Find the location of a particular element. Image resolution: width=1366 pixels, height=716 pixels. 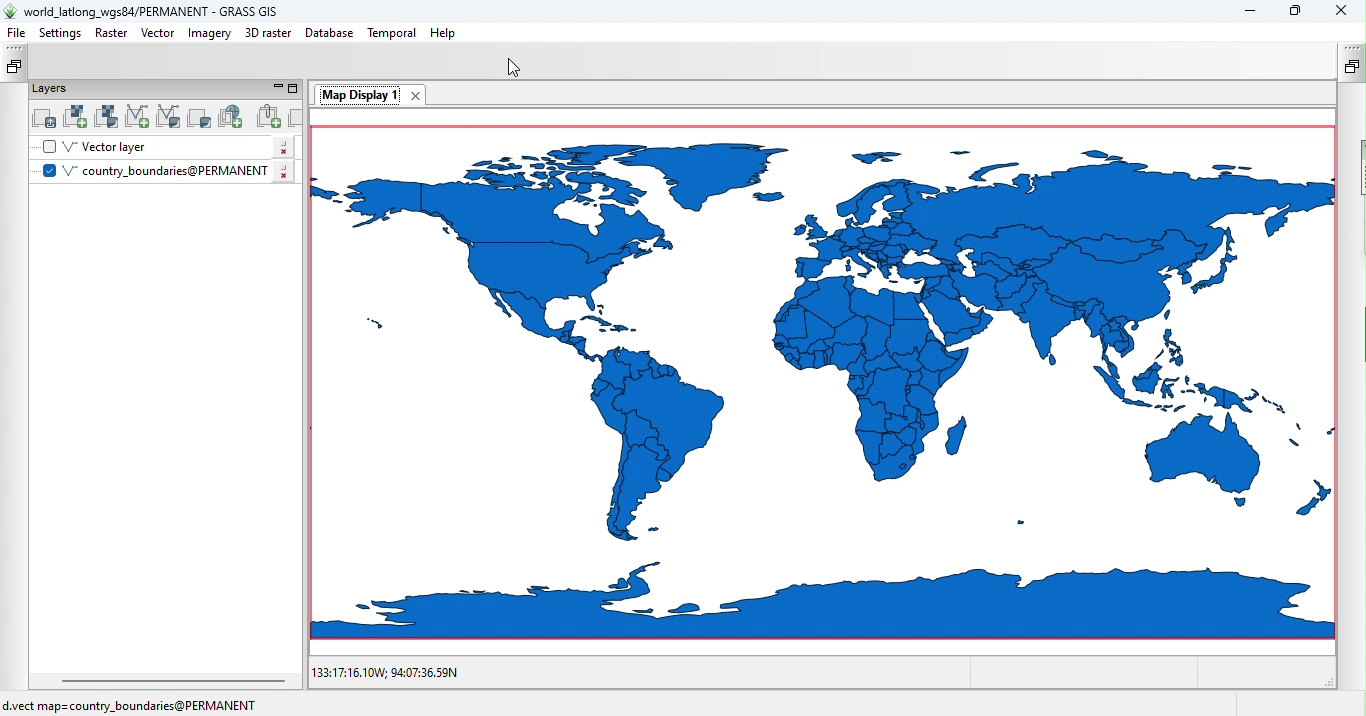

Minimize is located at coordinates (278, 87).